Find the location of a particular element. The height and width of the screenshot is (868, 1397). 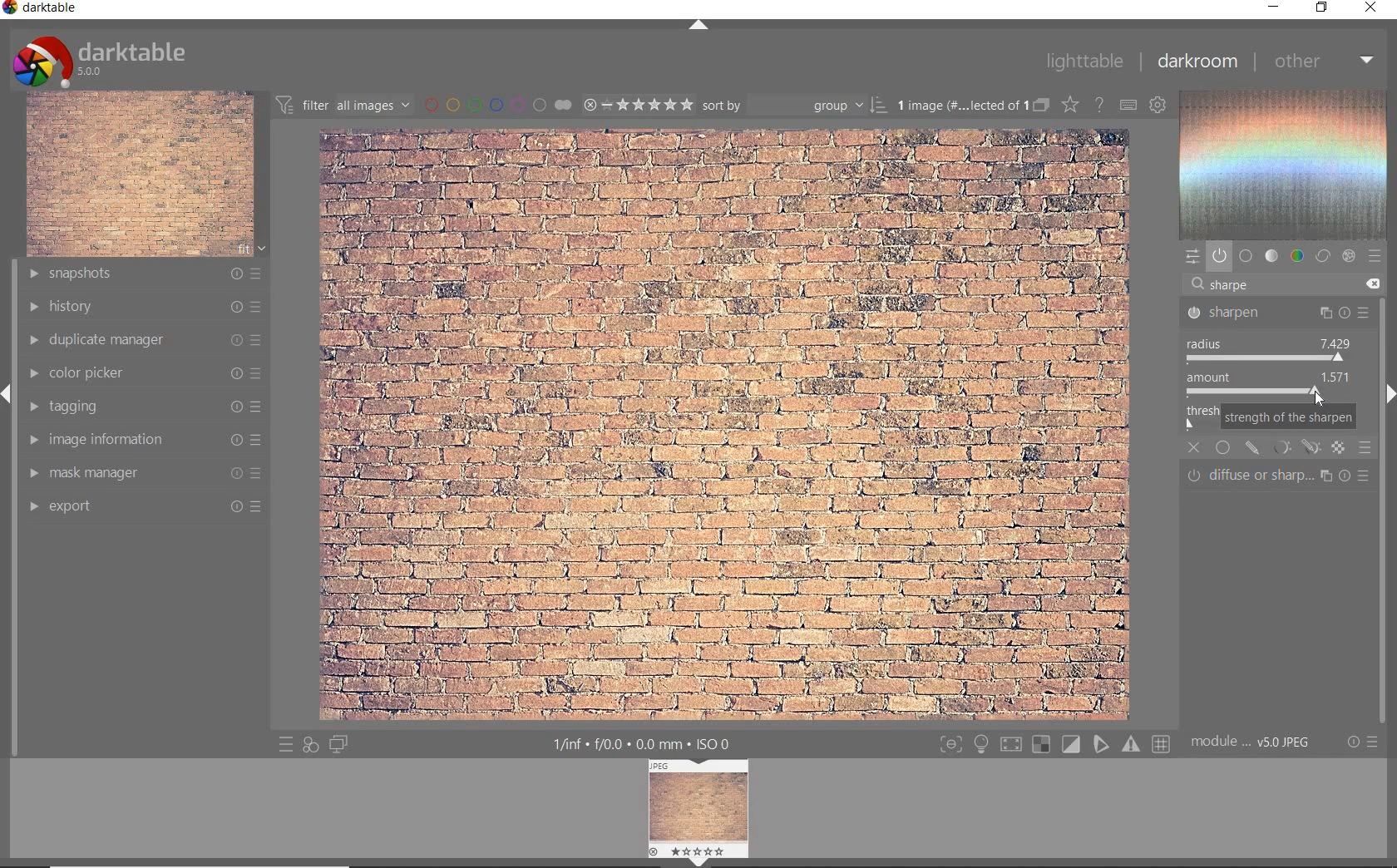

enable for online help is located at coordinates (1098, 106).